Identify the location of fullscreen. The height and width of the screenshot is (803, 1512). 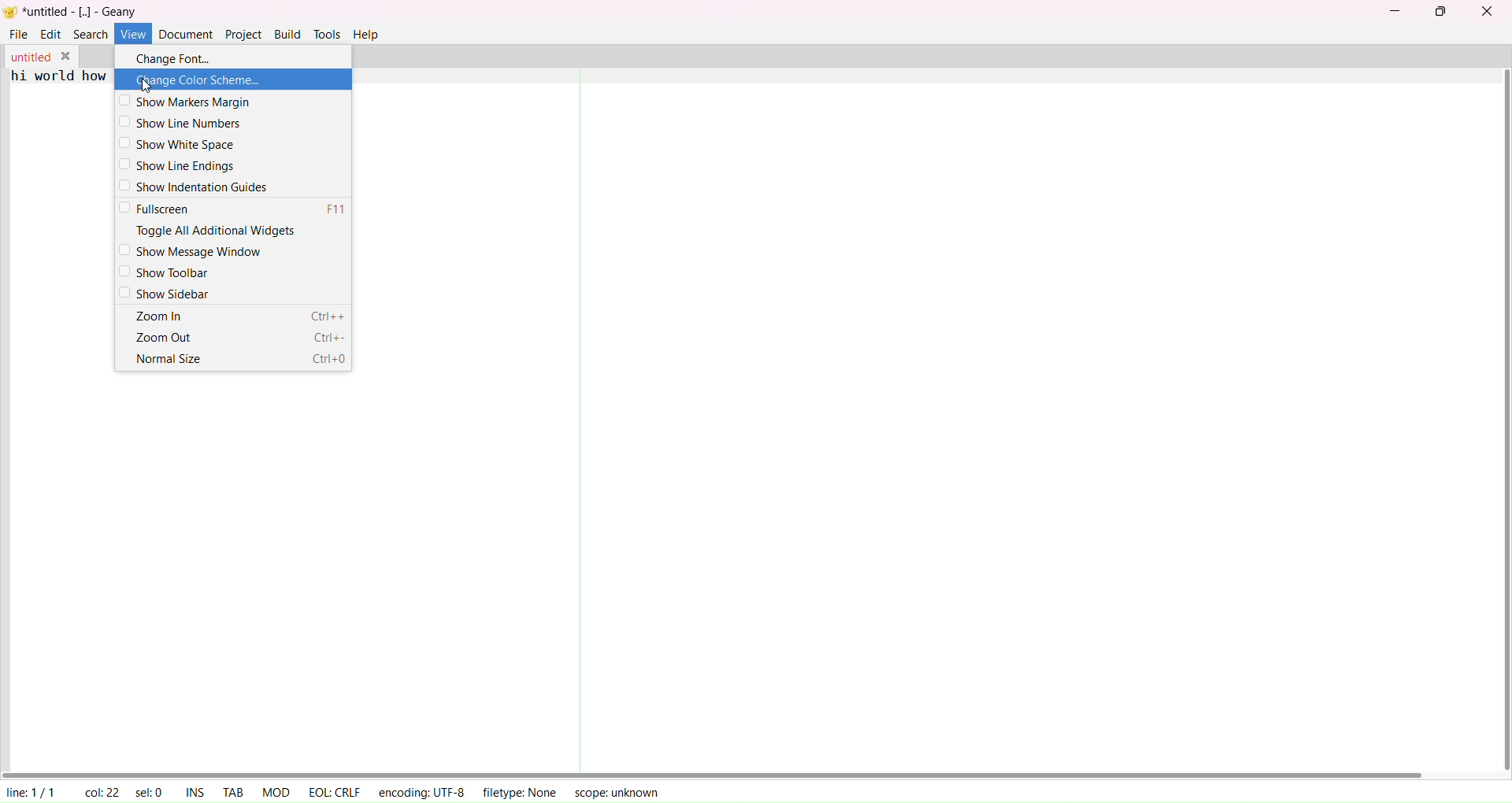
(237, 209).